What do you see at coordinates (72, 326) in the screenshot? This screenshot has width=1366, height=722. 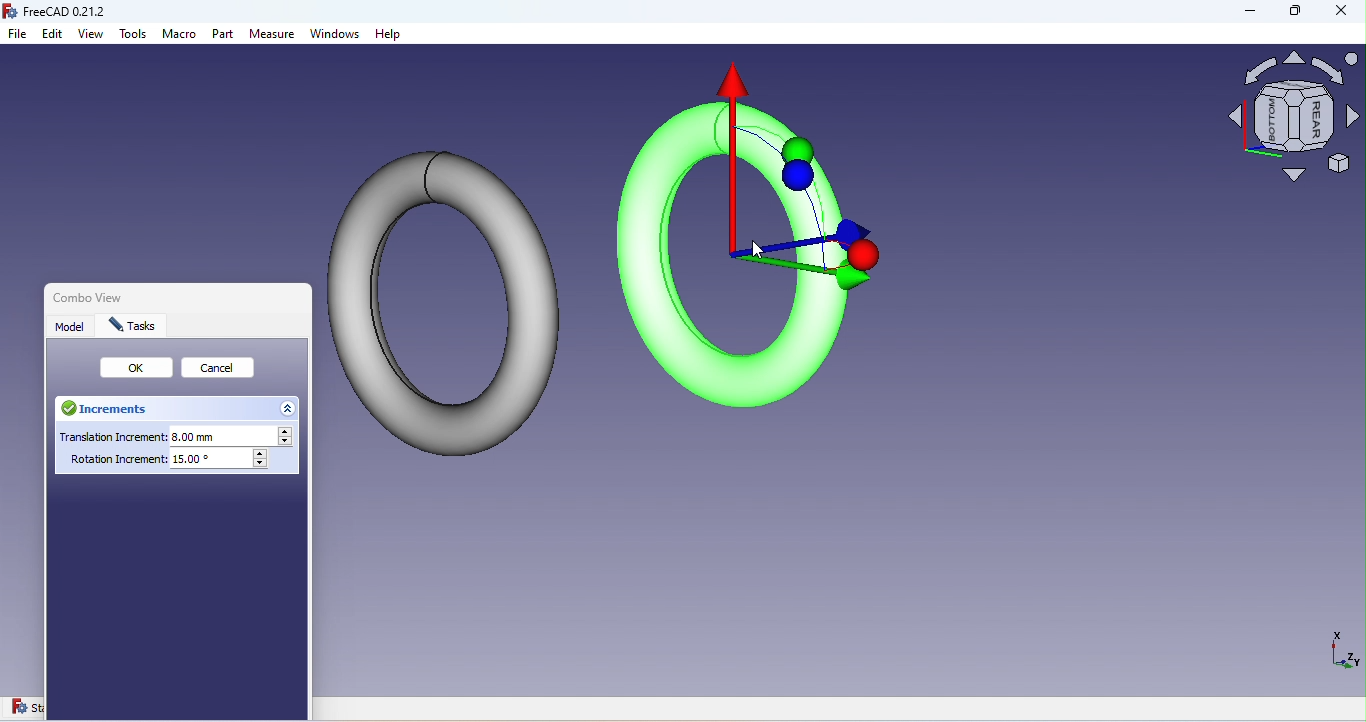 I see `Model` at bounding box center [72, 326].